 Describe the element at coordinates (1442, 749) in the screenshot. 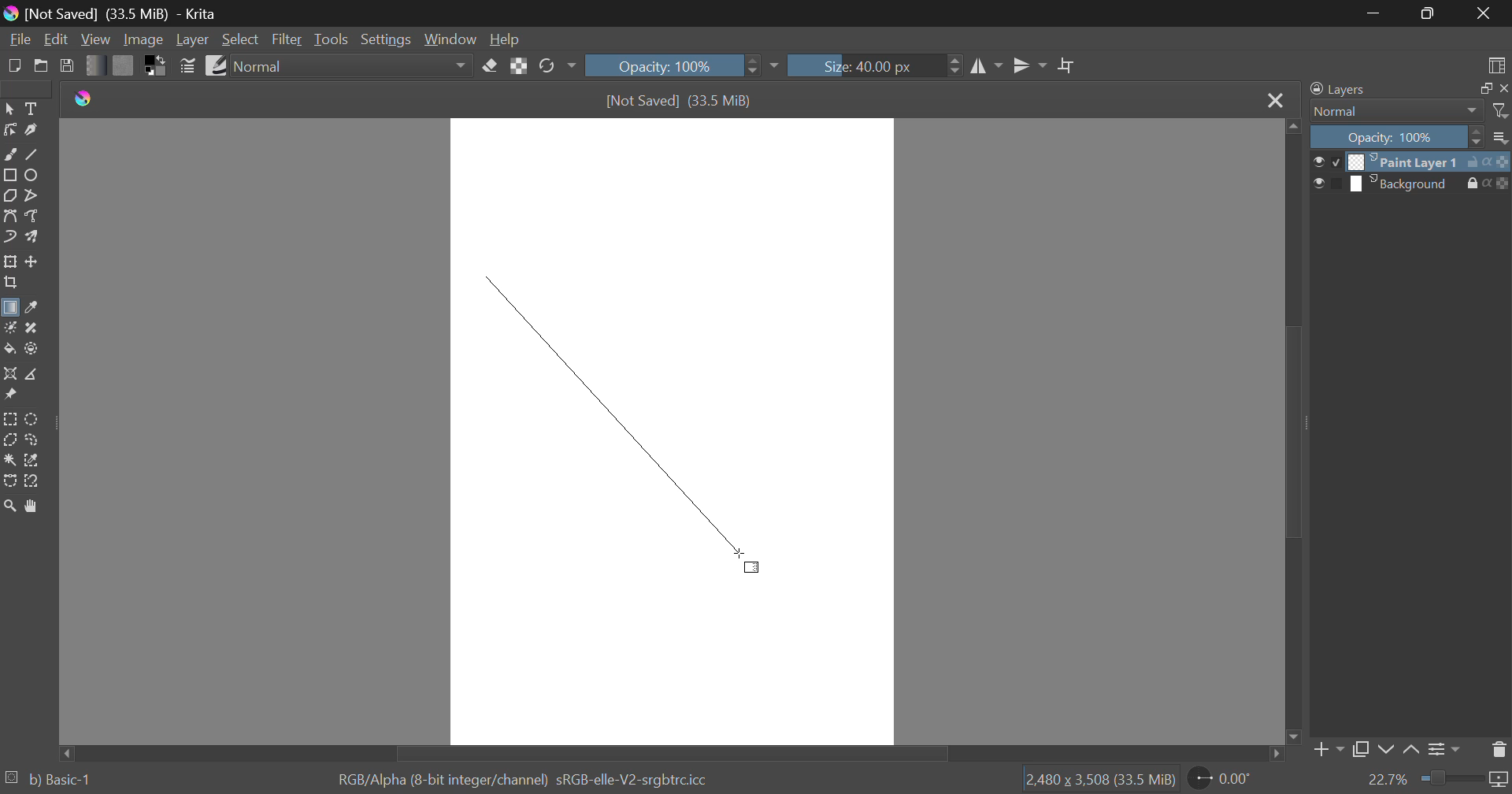

I see `Layer Settings` at that location.